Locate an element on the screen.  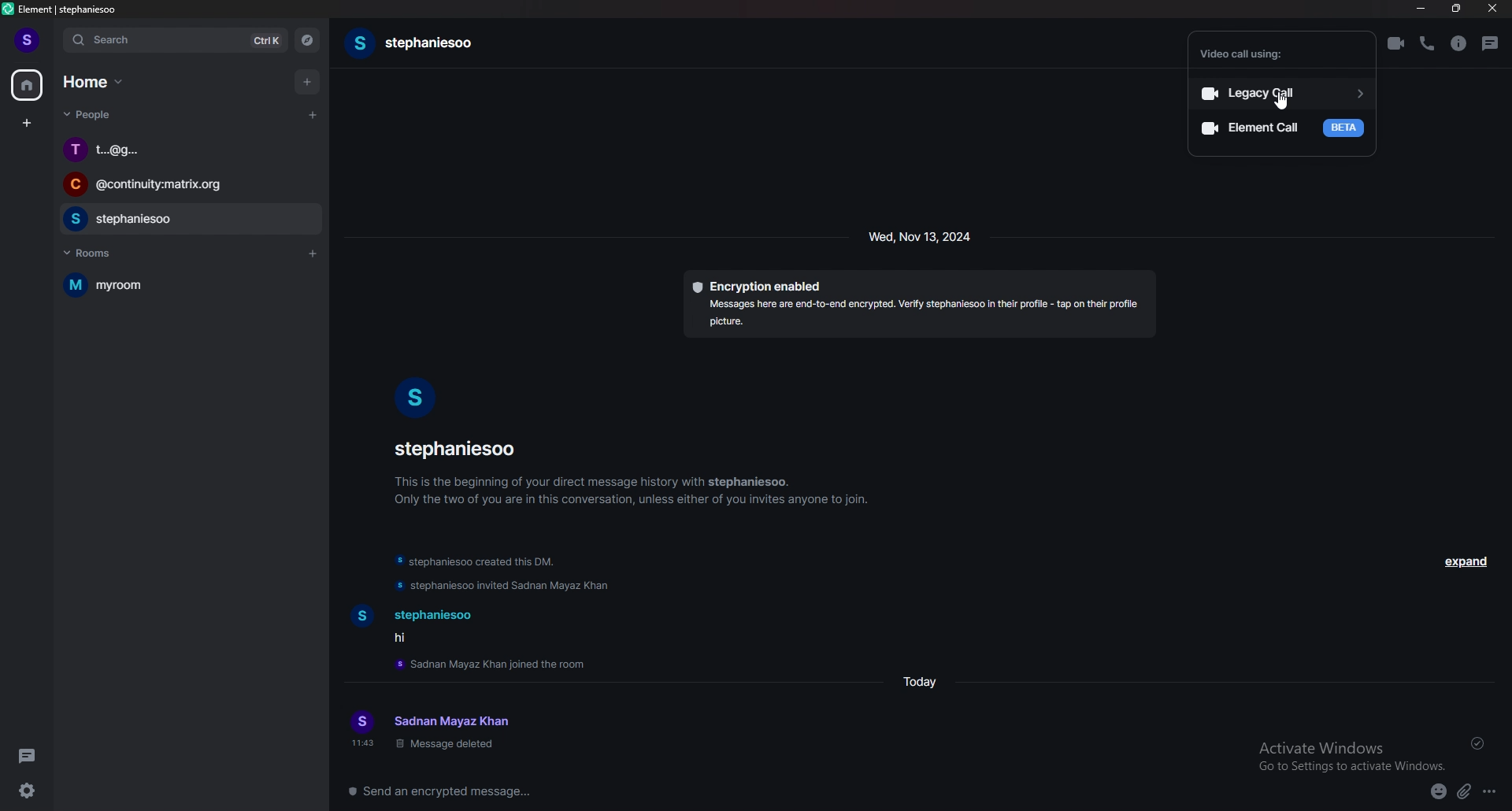
expand is located at coordinates (1465, 561).